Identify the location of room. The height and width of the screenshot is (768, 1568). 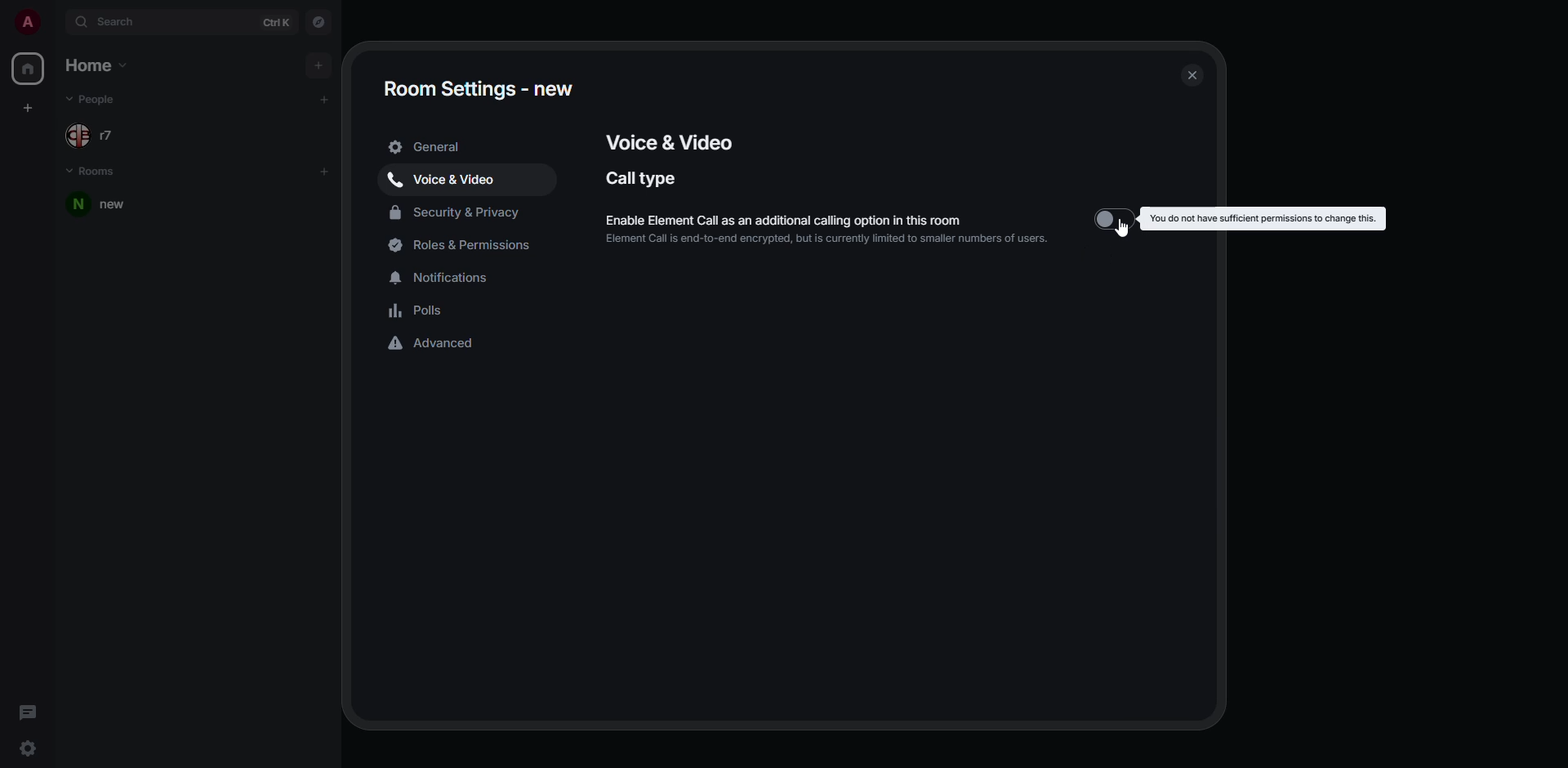
(108, 205).